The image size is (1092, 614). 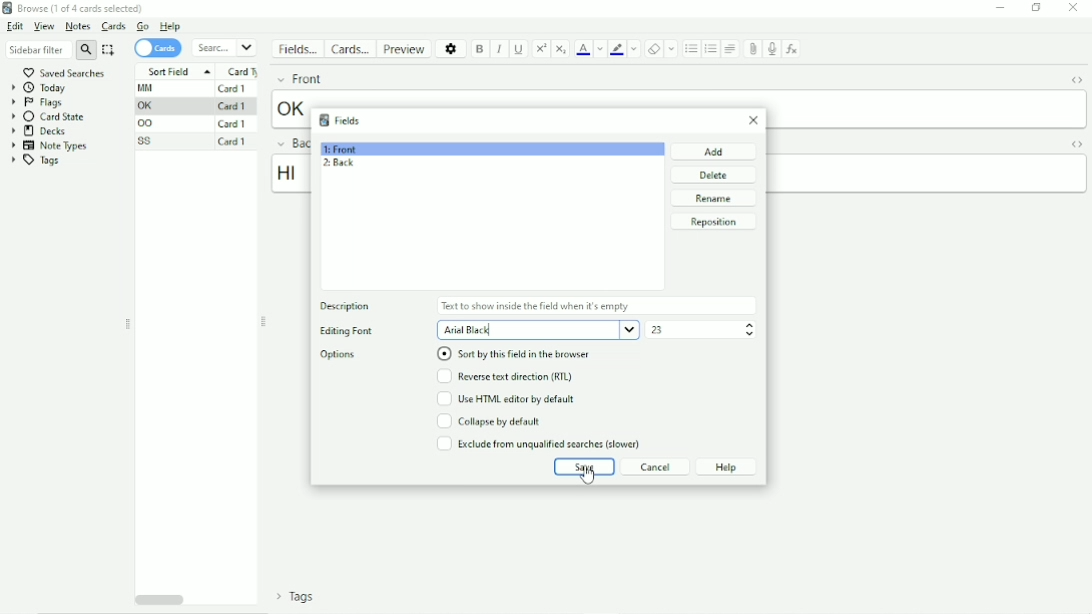 What do you see at coordinates (771, 49) in the screenshot?
I see `Record audio` at bounding box center [771, 49].